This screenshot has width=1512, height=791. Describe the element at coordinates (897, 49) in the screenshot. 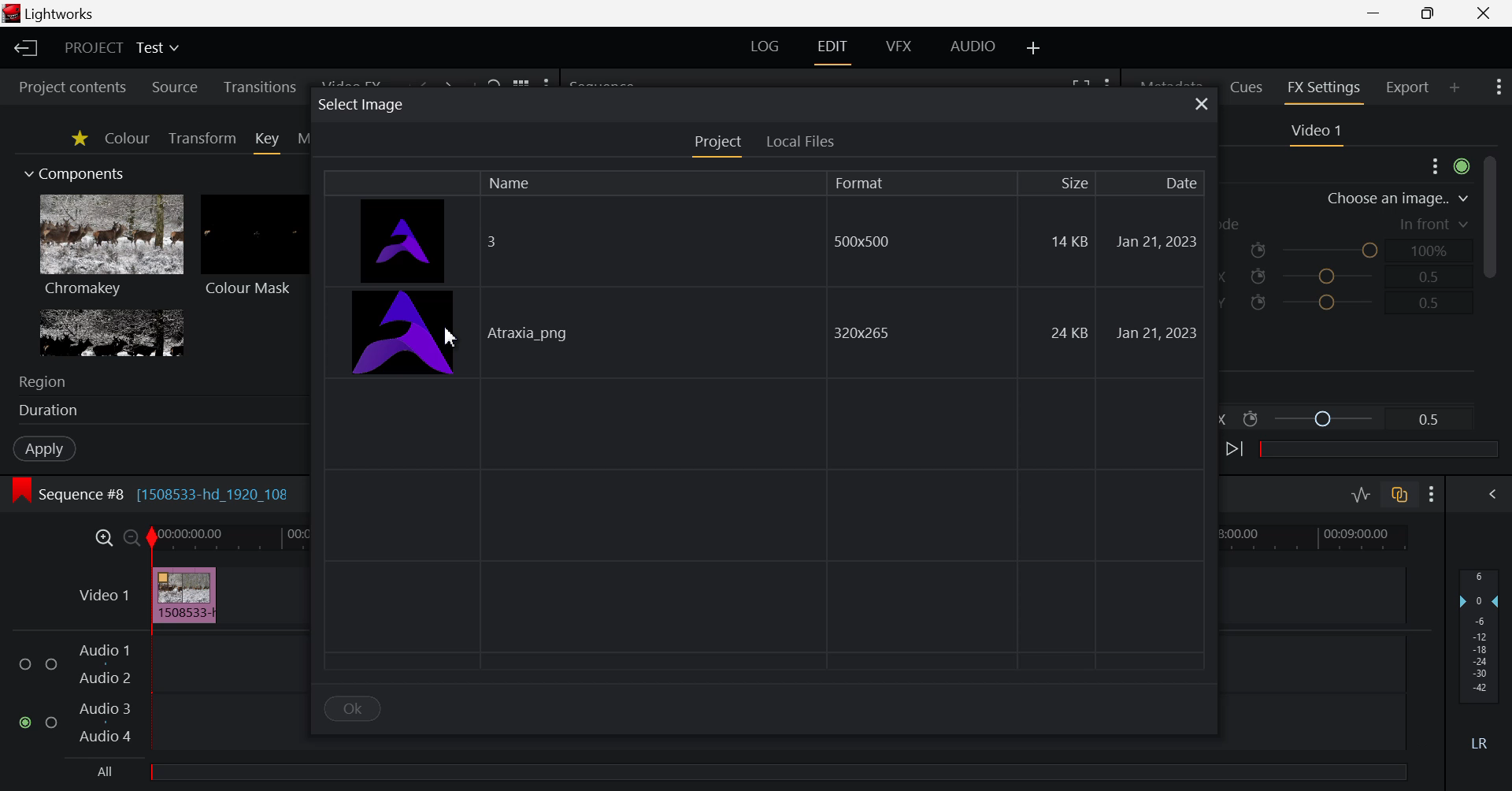

I see `VFX Layout` at that location.